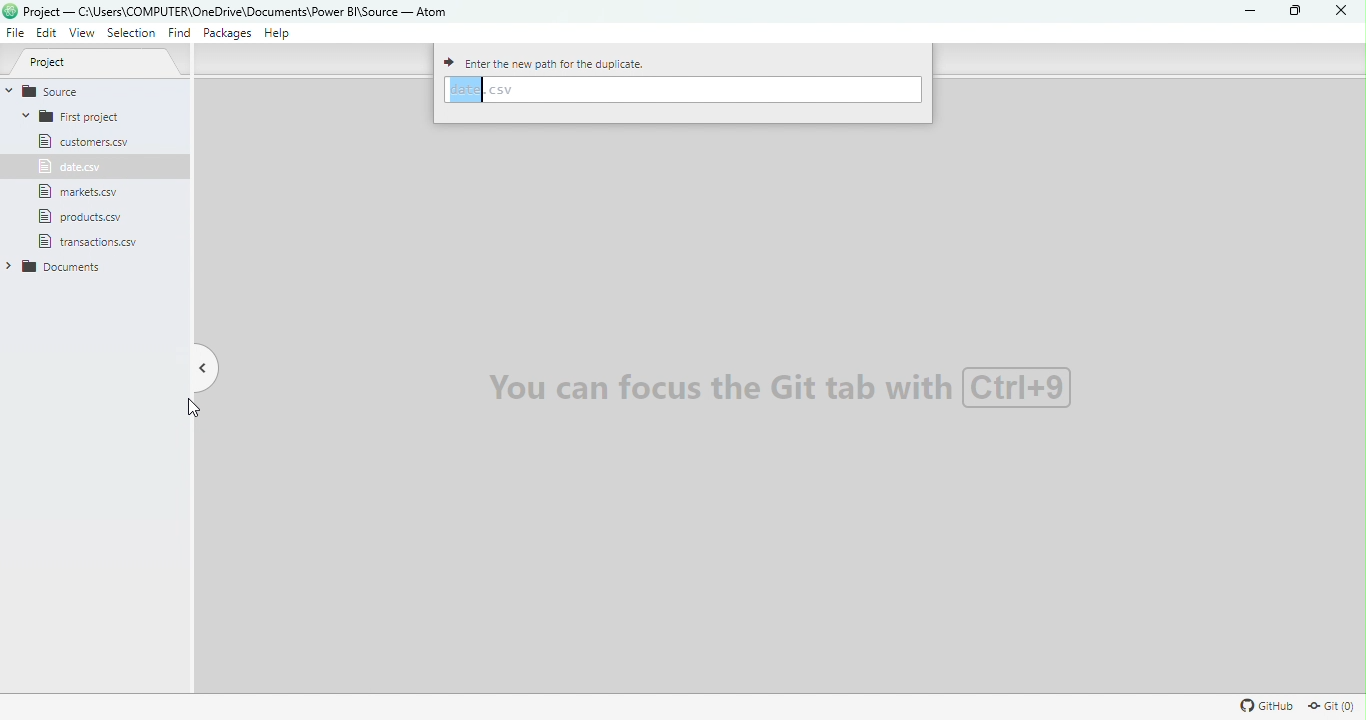 The height and width of the screenshot is (720, 1366). What do you see at coordinates (79, 192) in the screenshot?
I see `File` at bounding box center [79, 192].